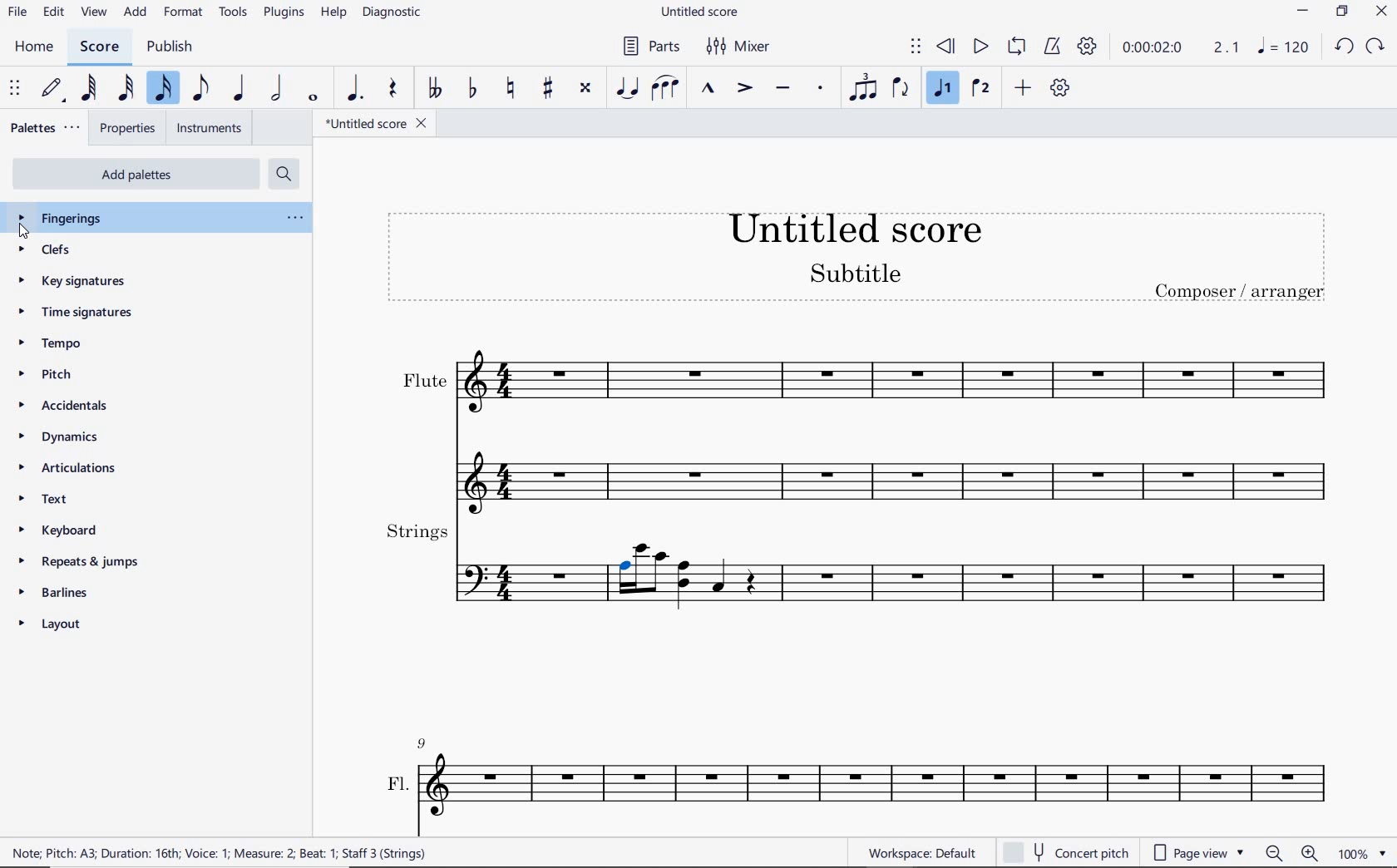 This screenshot has height=868, width=1397. I want to click on add, so click(136, 13).